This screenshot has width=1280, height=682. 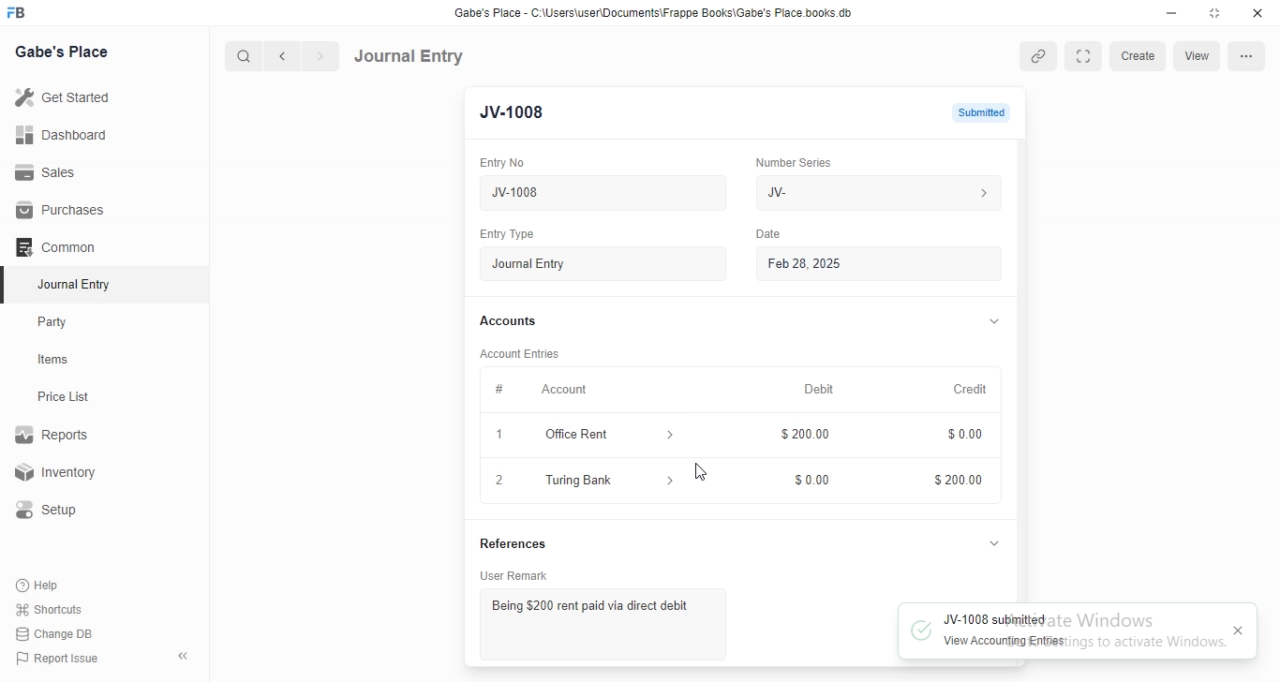 I want to click on Account, so click(x=565, y=387).